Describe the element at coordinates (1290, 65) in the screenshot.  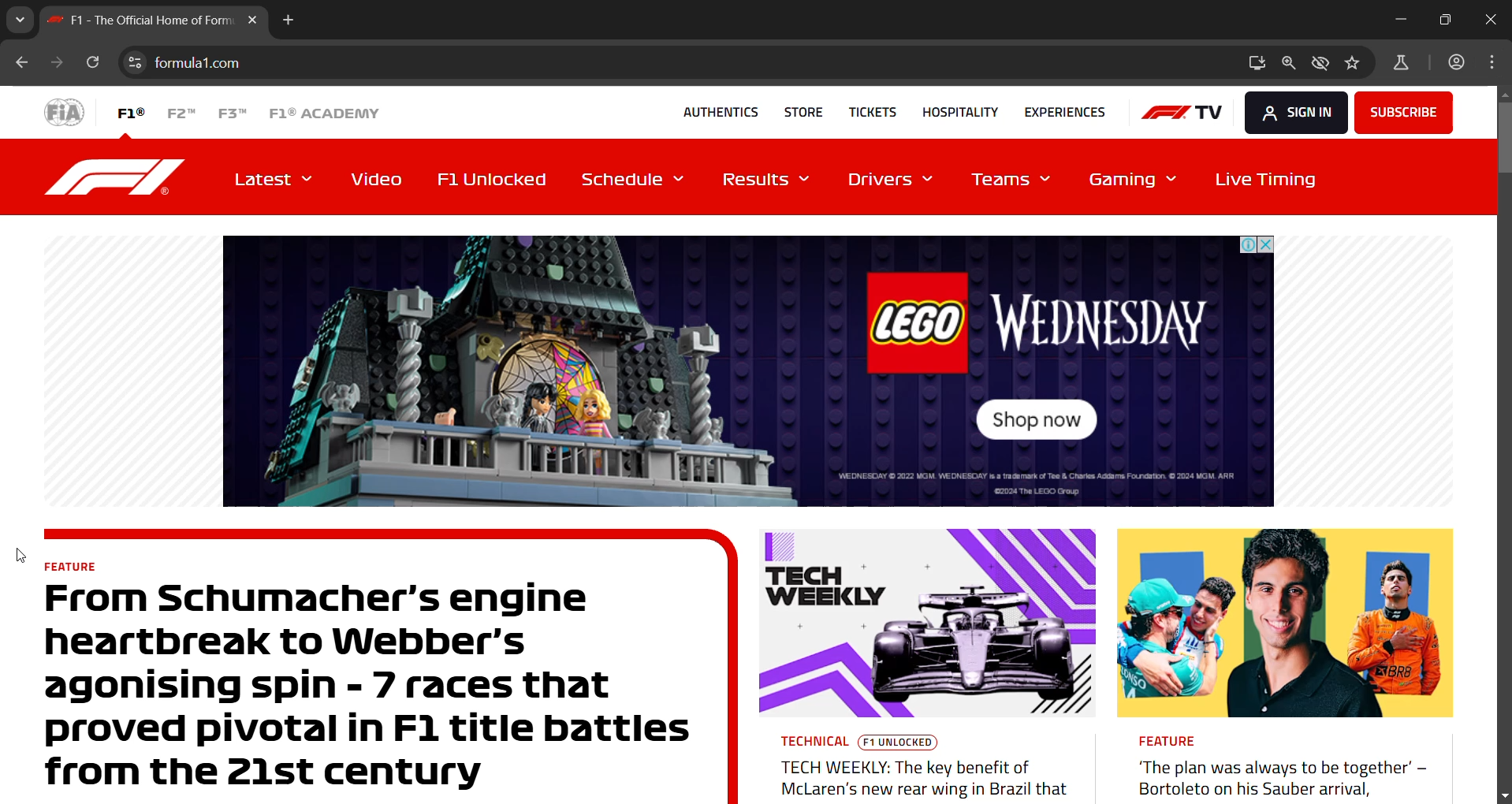
I see `zoom` at that location.